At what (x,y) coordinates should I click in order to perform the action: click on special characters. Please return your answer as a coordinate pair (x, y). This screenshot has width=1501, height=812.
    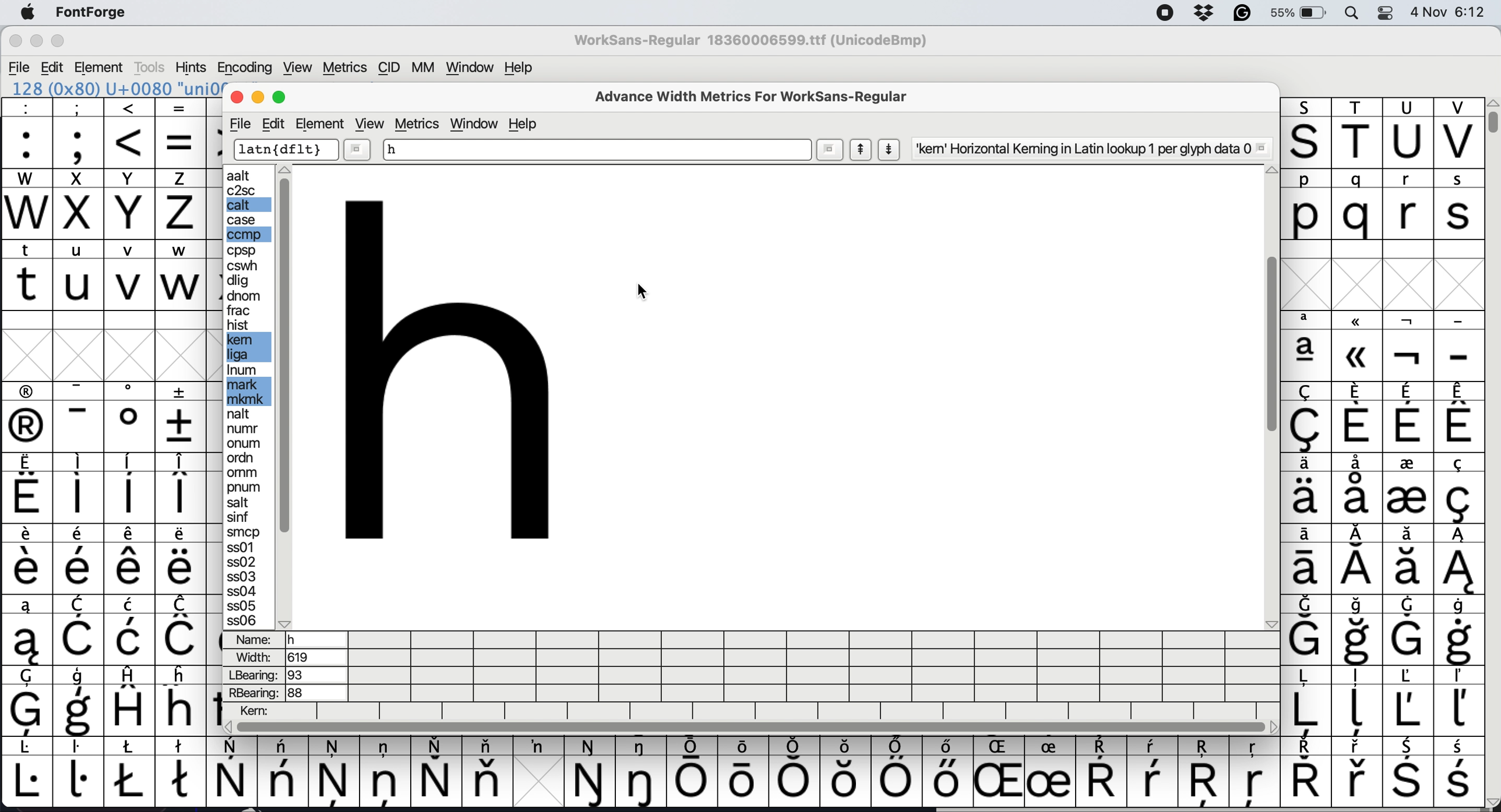
    Looking at the image, I should click on (111, 712).